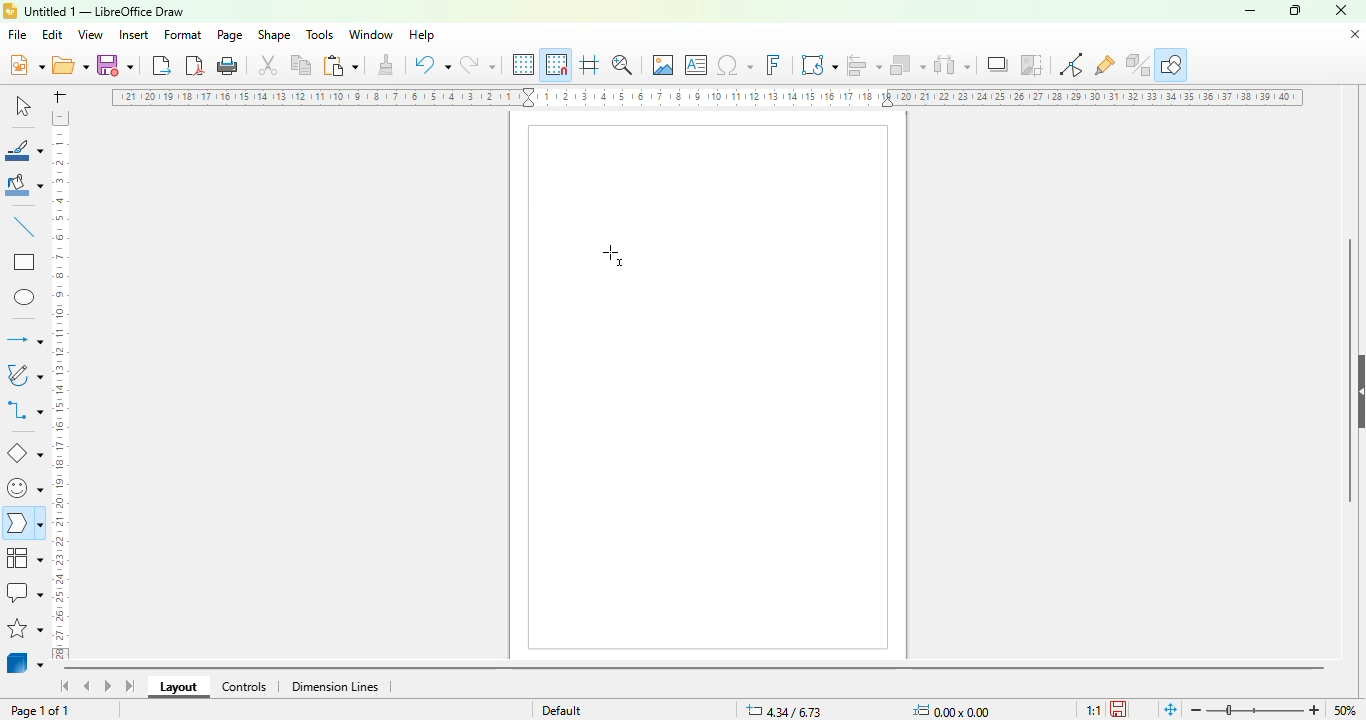  What do you see at coordinates (697, 65) in the screenshot?
I see `insert text box` at bounding box center [697, 65].